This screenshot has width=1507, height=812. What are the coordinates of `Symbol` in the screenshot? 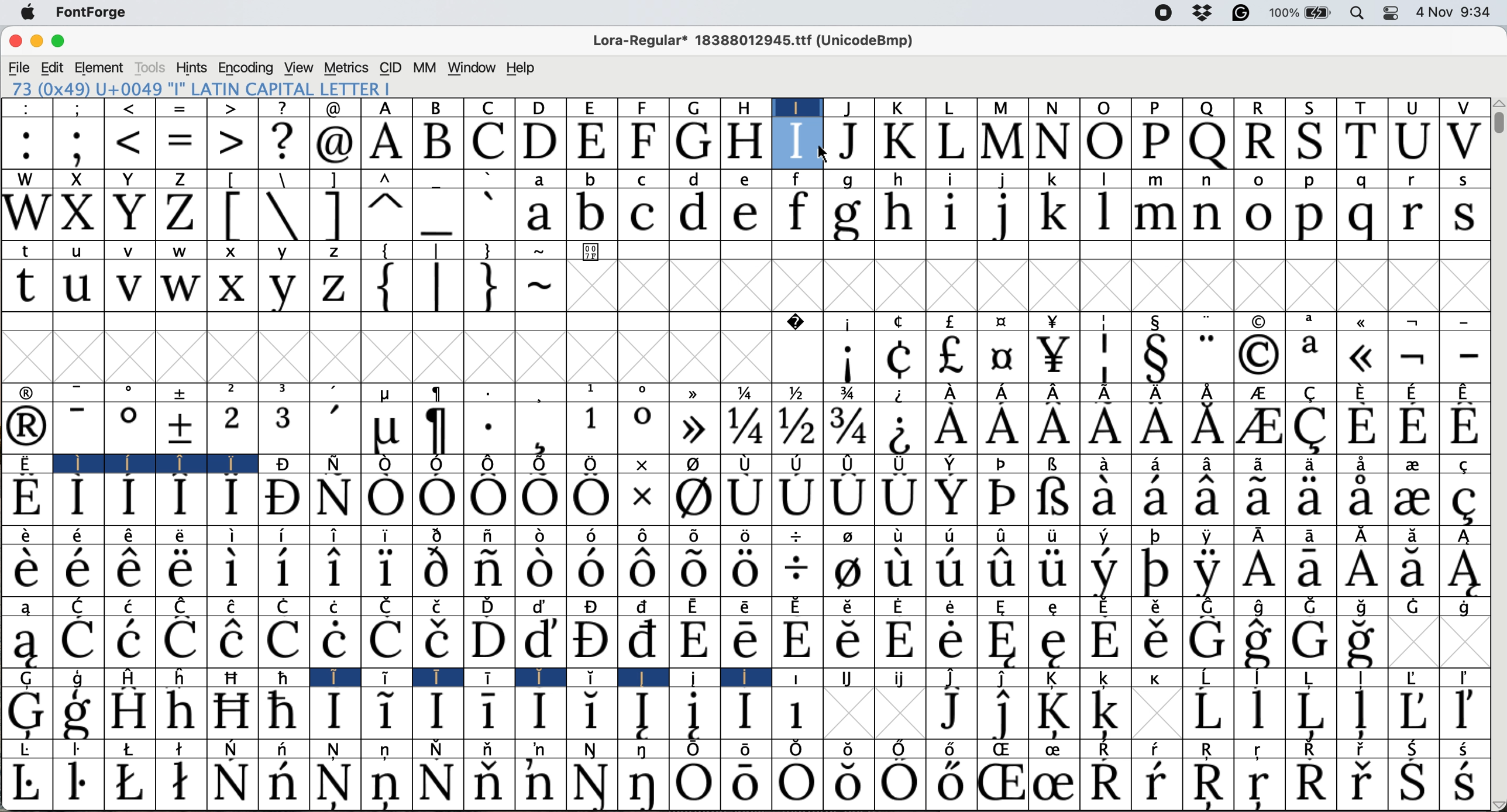 It's located at (951, 677).